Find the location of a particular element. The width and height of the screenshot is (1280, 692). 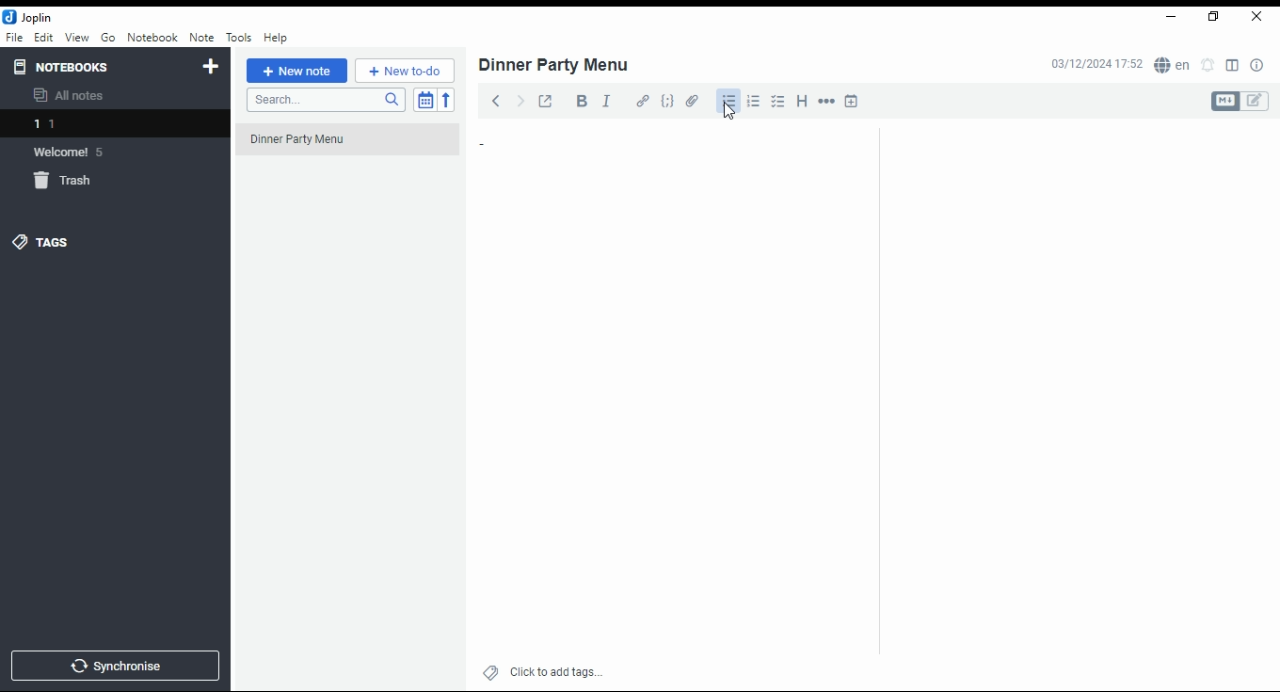

1 is located at coordinates (111, 124).